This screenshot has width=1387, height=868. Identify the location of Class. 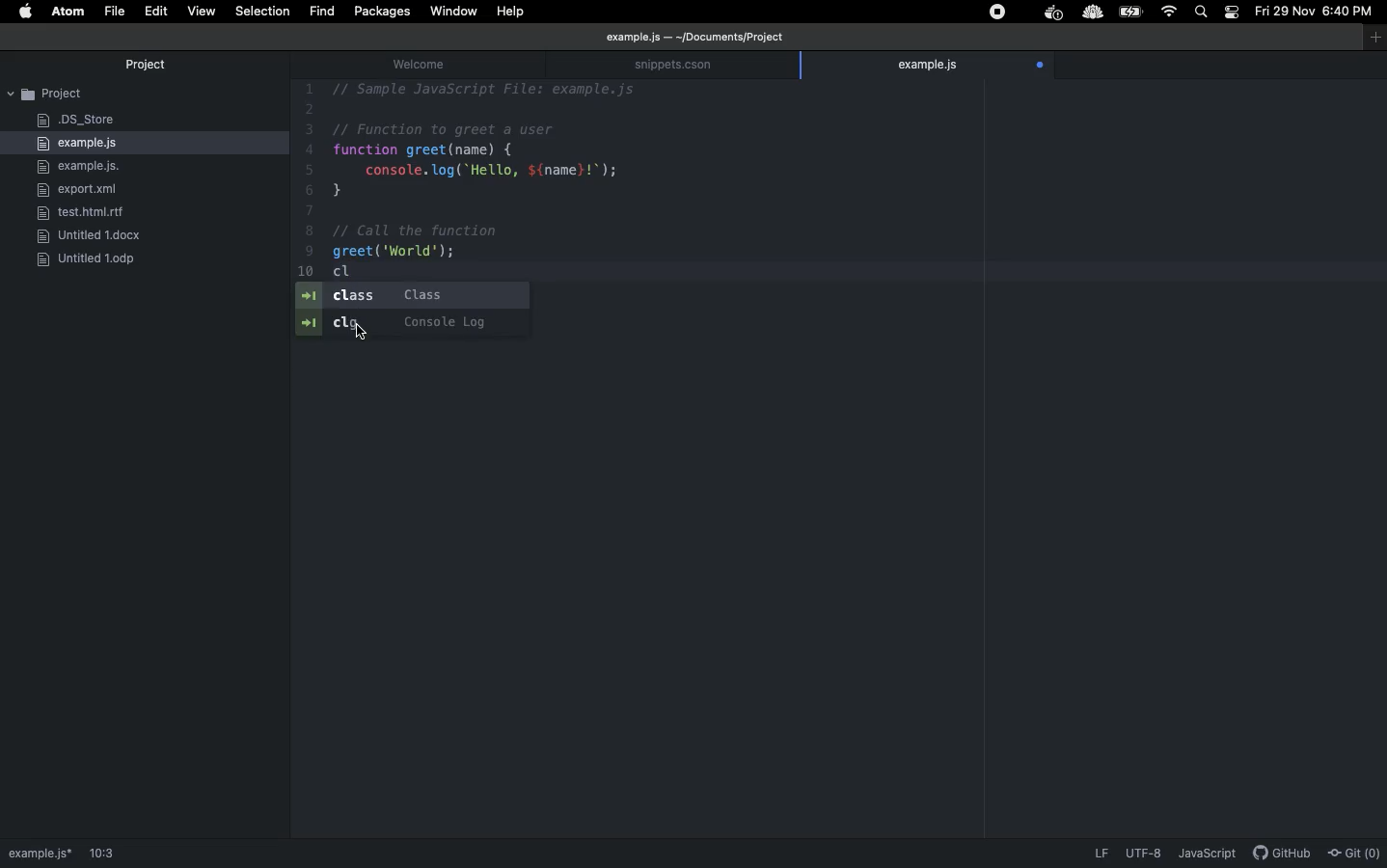
(388, 294).